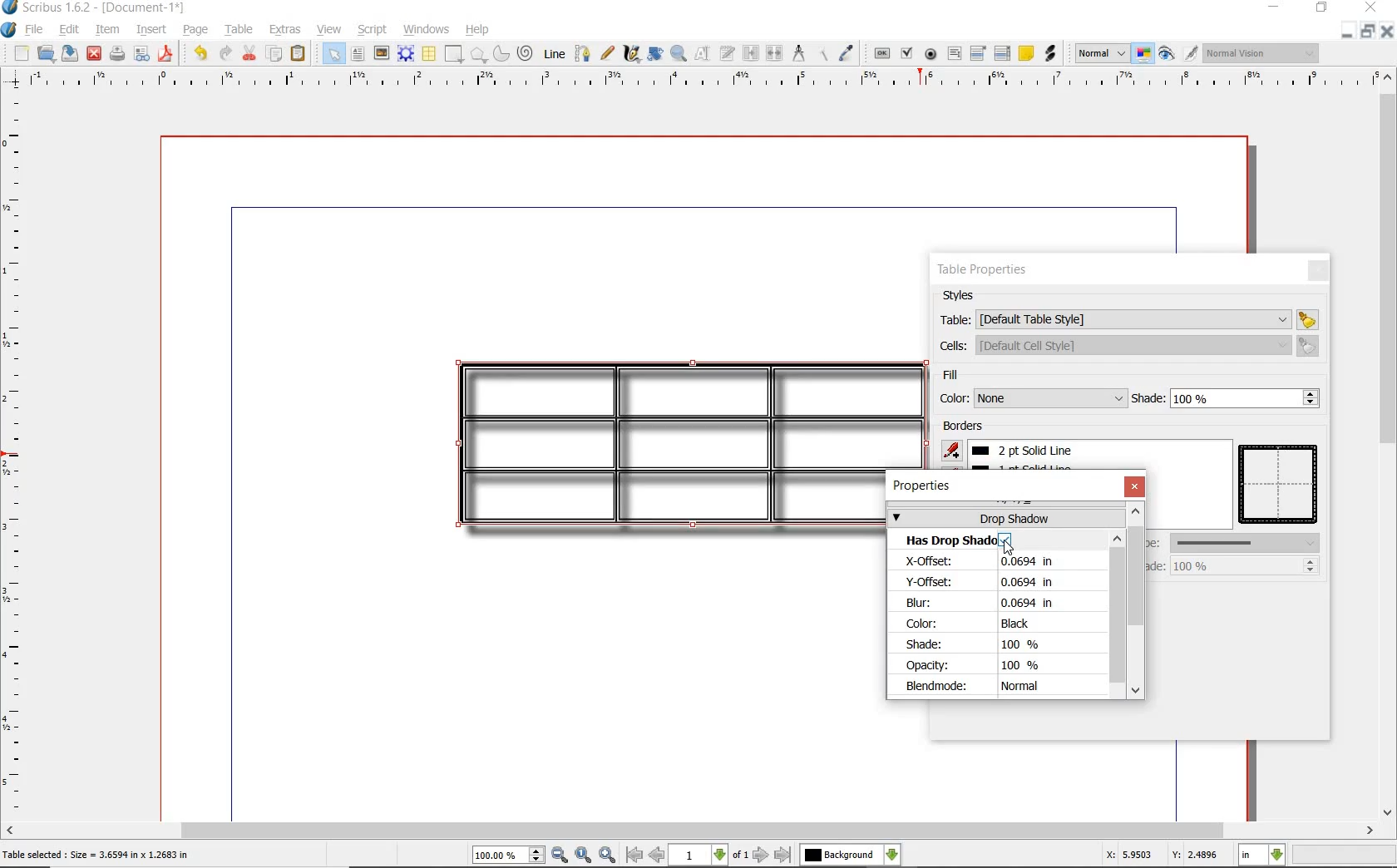 Image resolution: width=1397 pixels, height=868 pixels. What do you see at coordinates (775, 53) in the screenshot?
I see `unlink text frames` at bounding box center [775, 53].